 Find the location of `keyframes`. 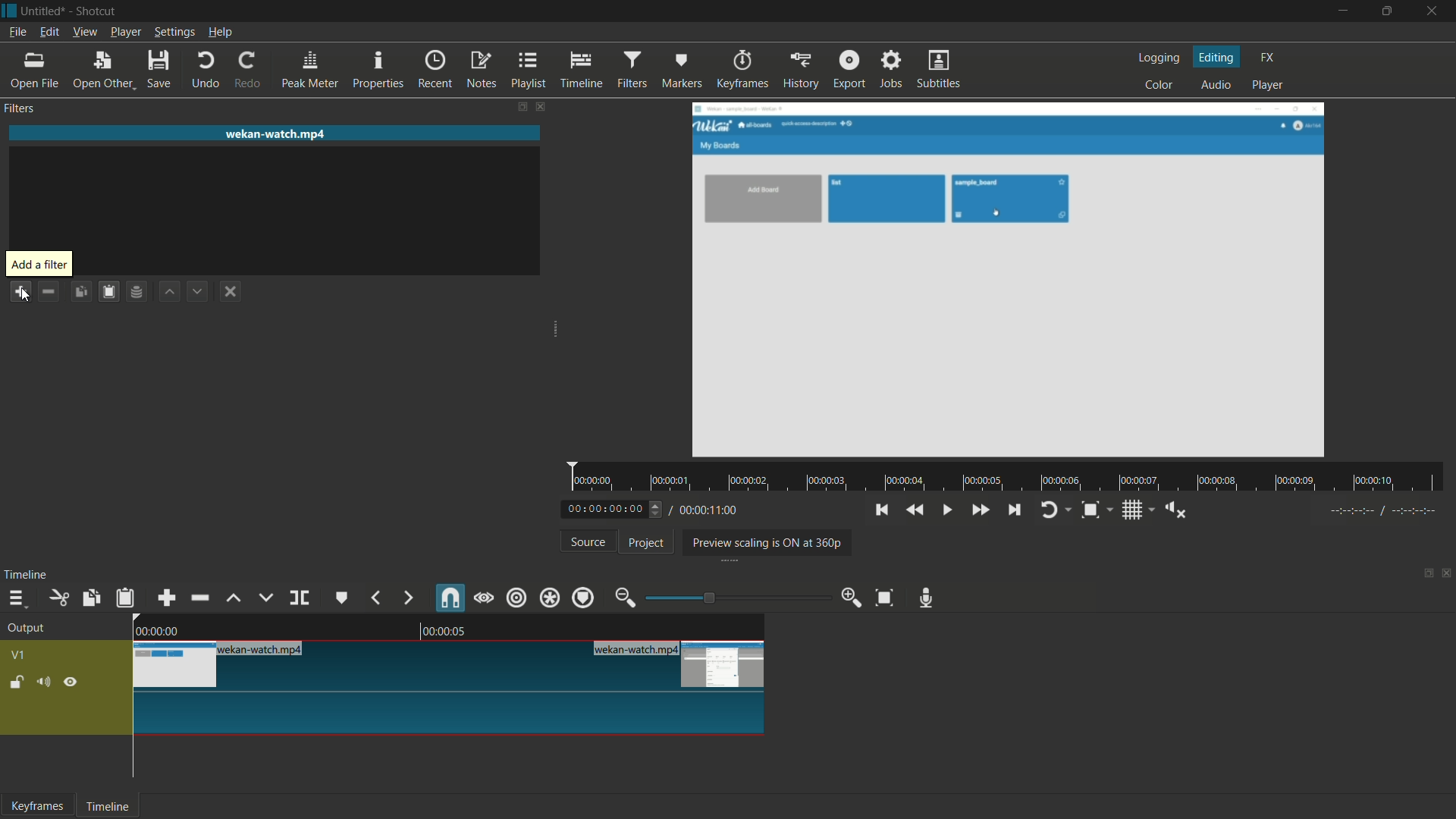

keyframes is located at coordinates (740, 70).